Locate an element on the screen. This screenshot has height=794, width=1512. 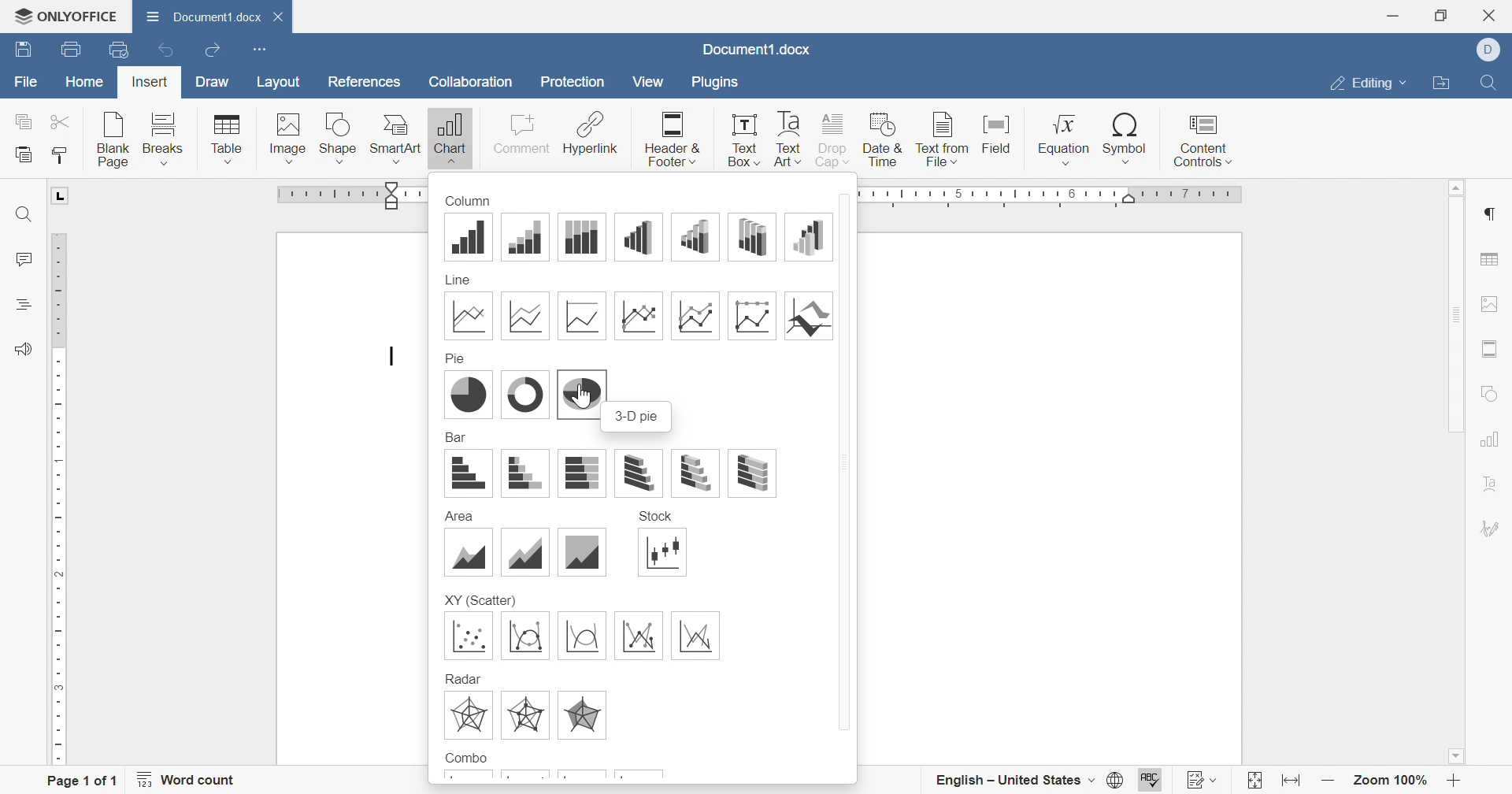
Radar is located at coordinates (466, 715).